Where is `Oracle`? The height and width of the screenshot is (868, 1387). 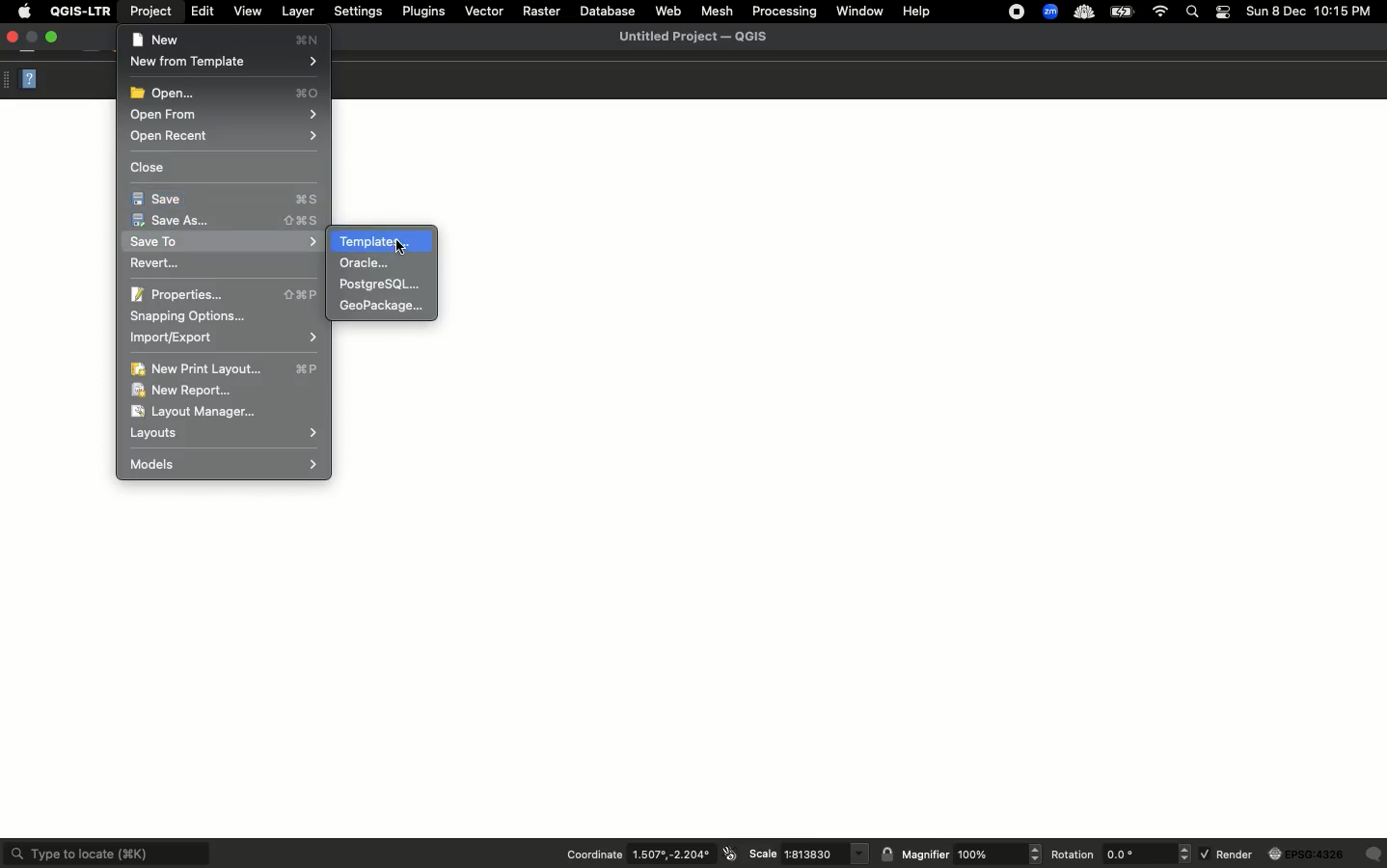
Oracle is located at coordinates (365, 263).